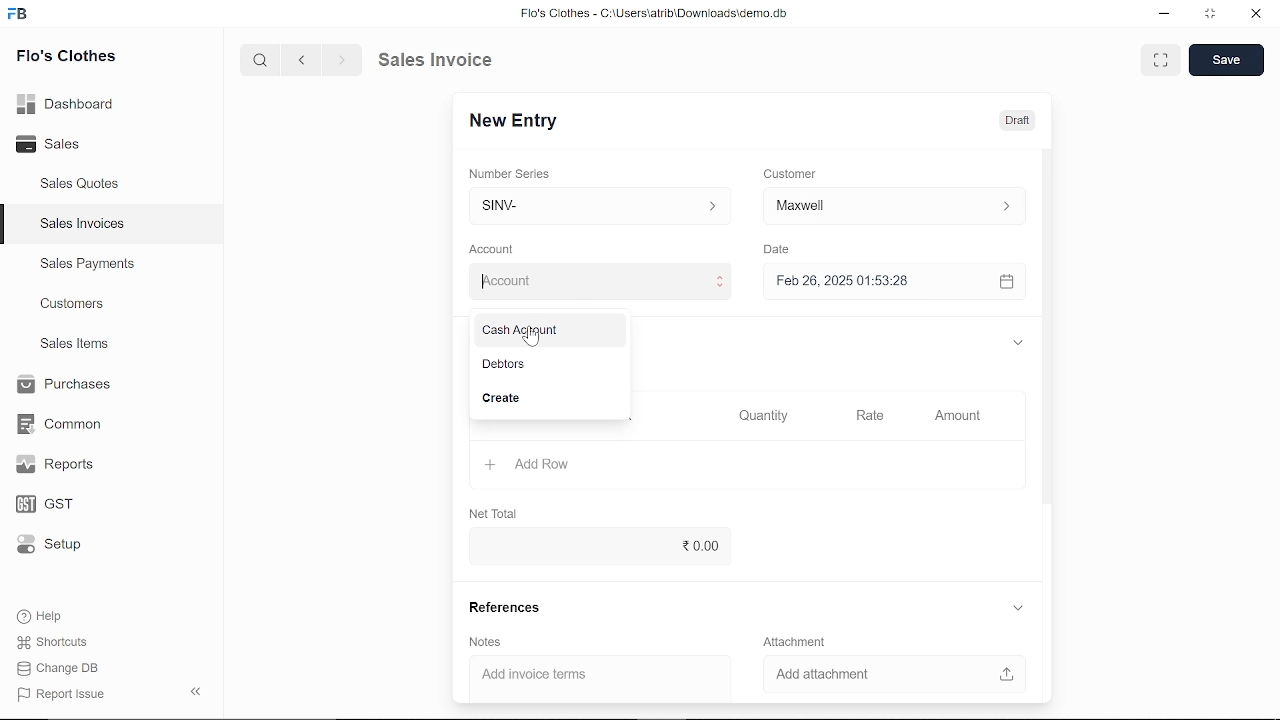 This screenshot has height=720, width=1280. What do you see at coordinates (89, 226) in the screenshot?
I see `Sales Invoices` at bounding box center [89, 226].